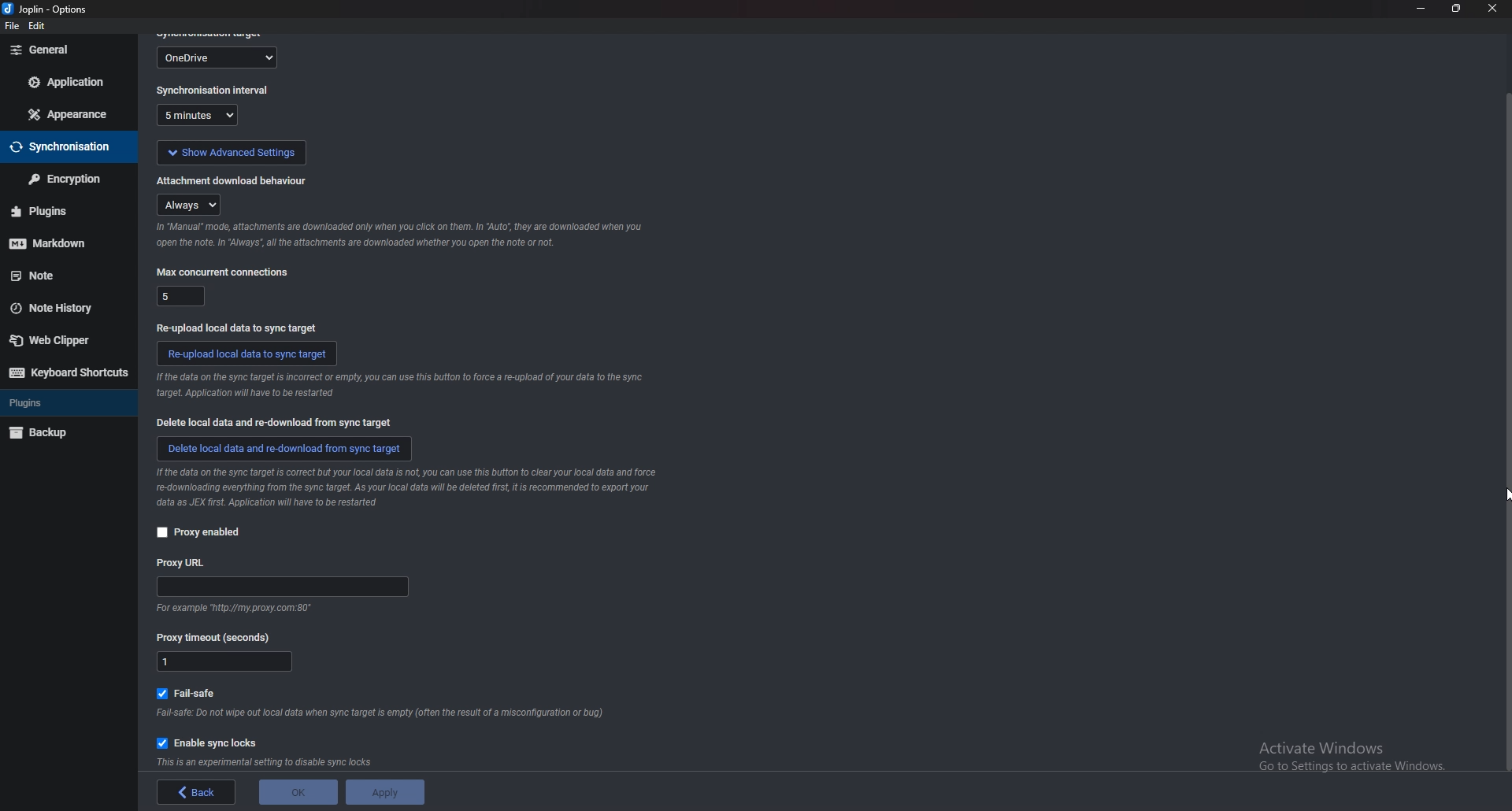  I want to click on close, so click(1491, 9).